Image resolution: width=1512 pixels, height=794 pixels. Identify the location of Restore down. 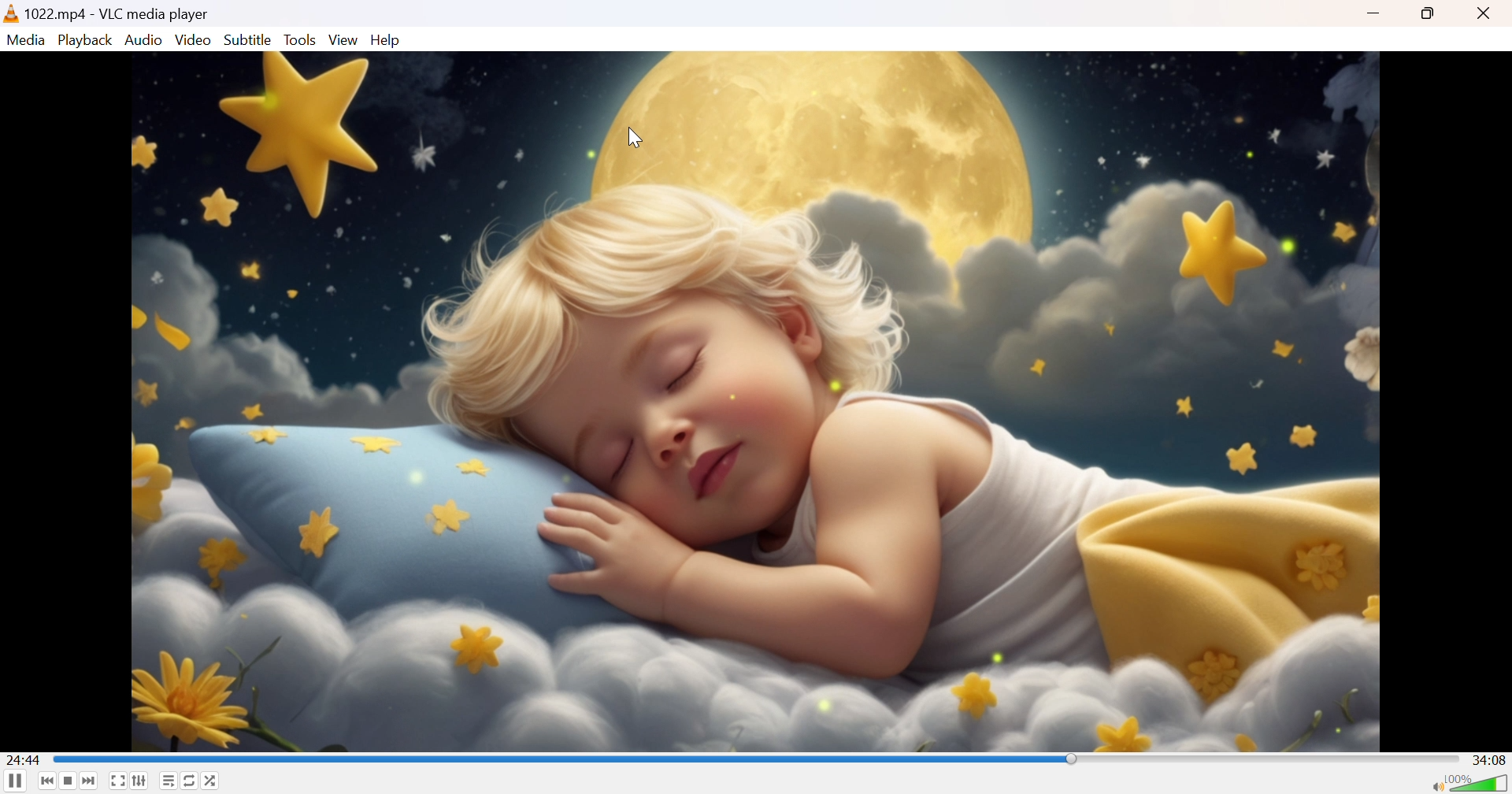
(1432, 15).